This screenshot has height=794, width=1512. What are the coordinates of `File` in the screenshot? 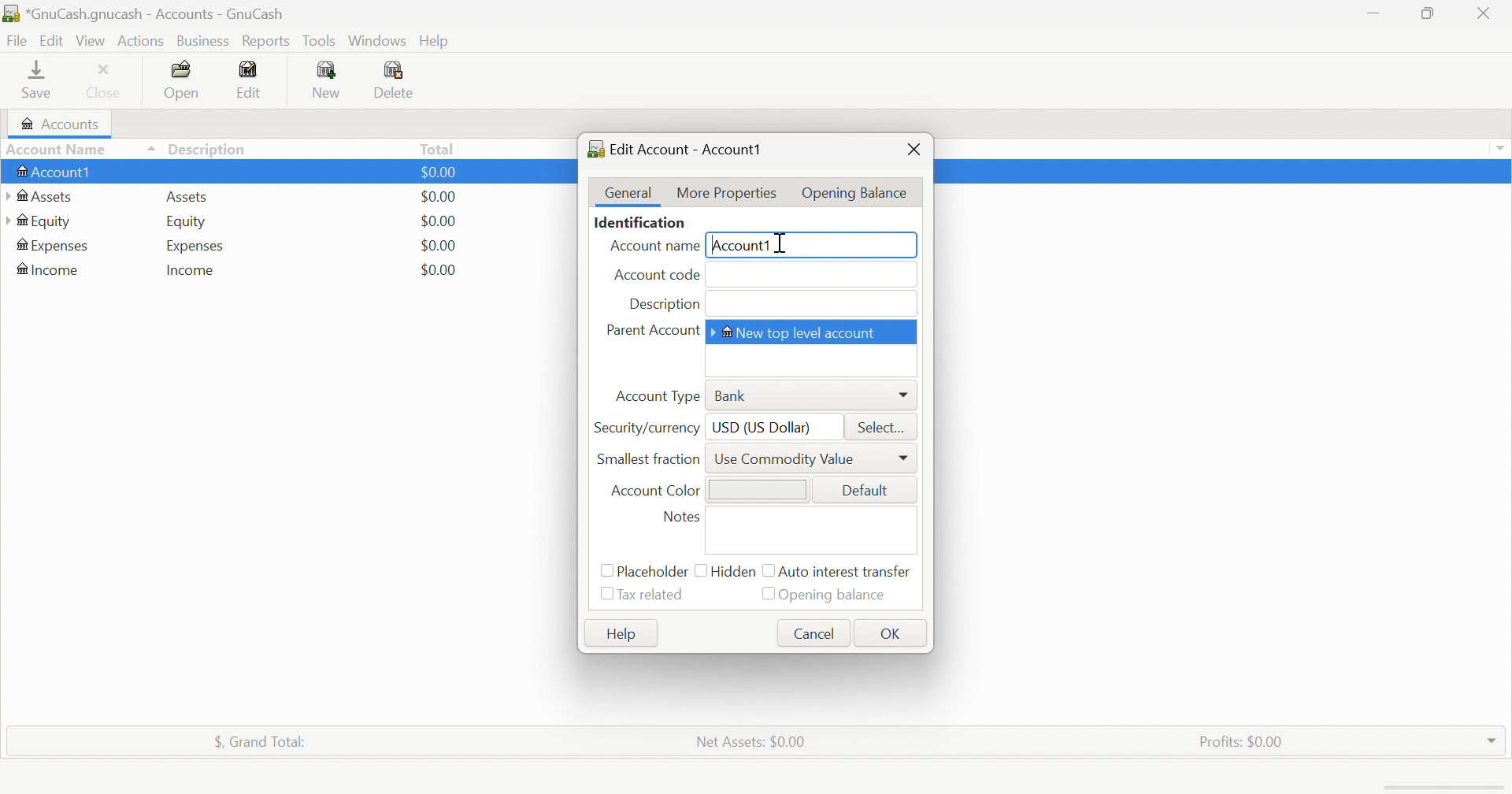 It's located at (17, 41).